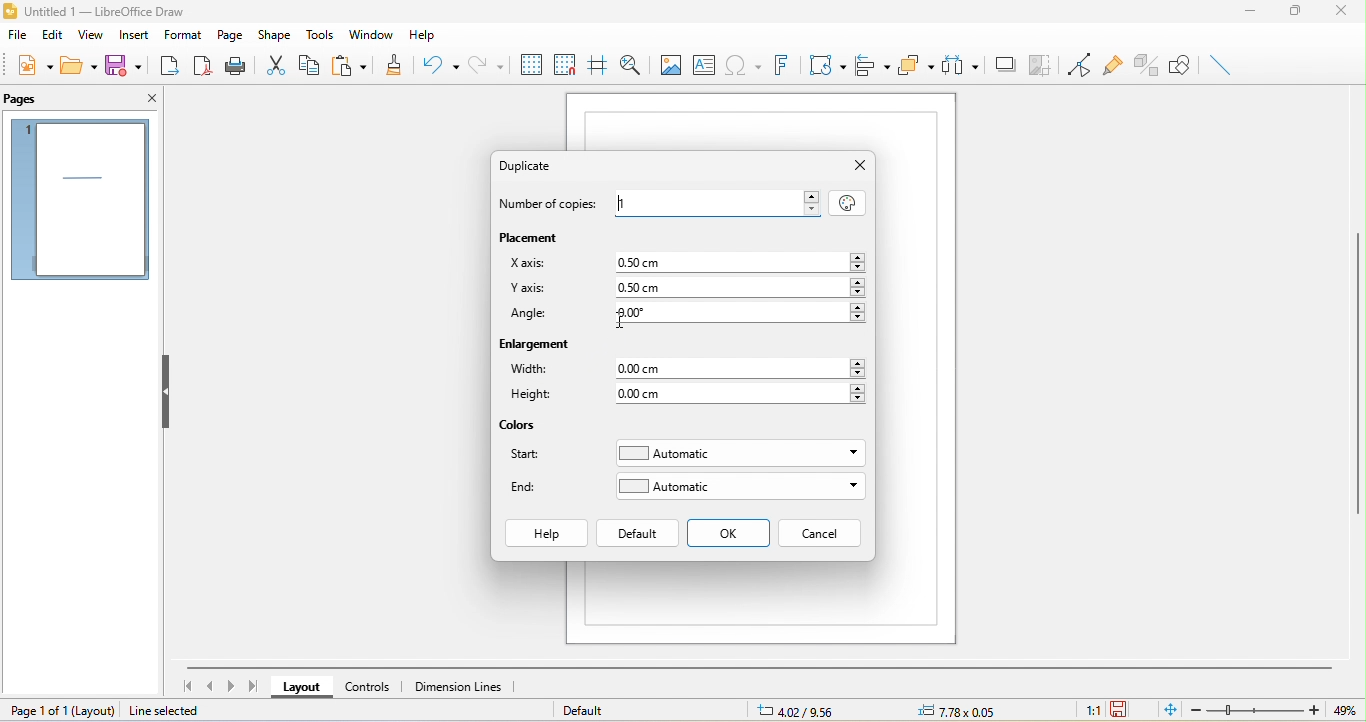  What do you see at coordinates (820, 533) in the screenshot?
I see `cancel` at bounding box center [820, 533].